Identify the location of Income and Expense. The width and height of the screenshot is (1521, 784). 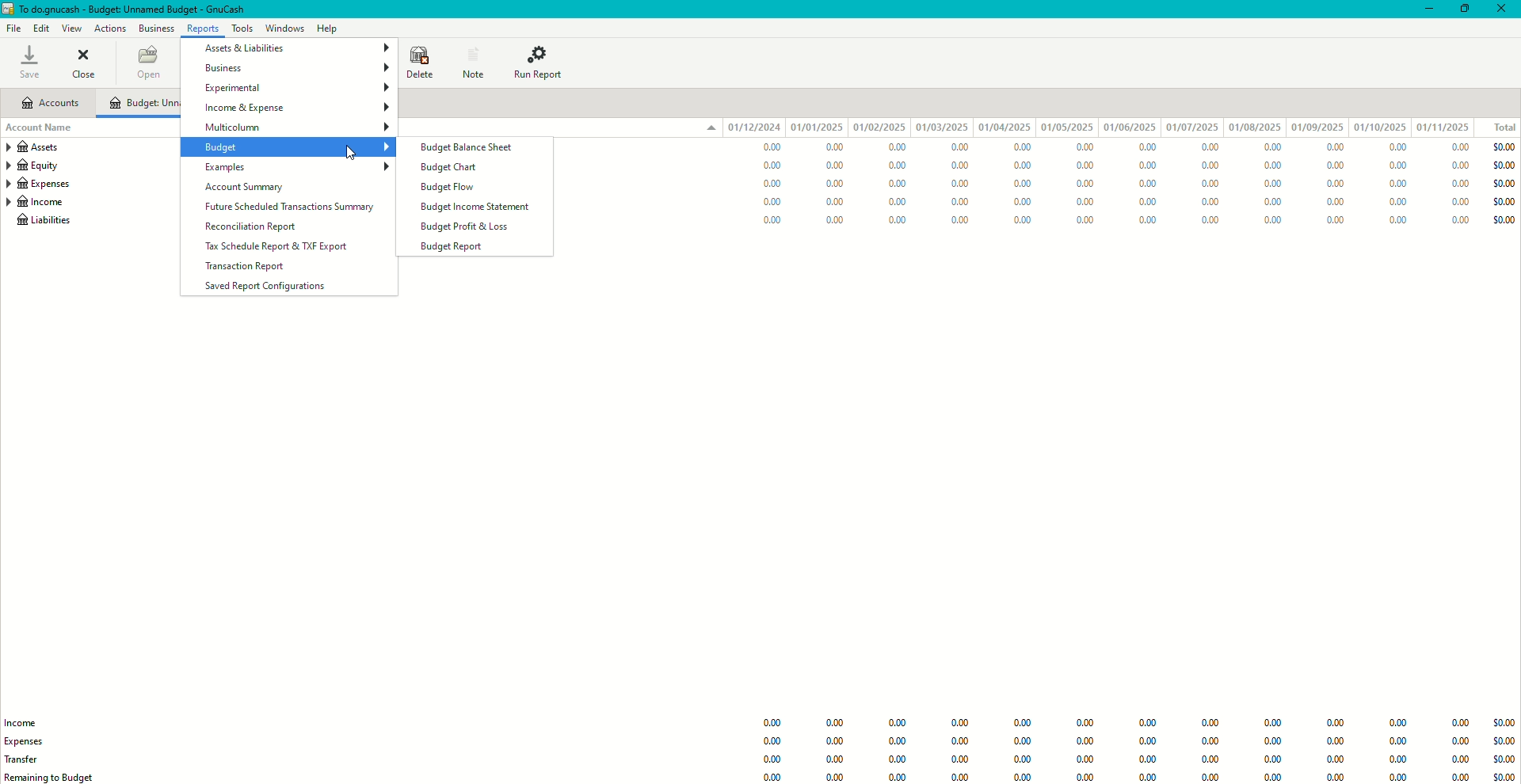
(295, 108).